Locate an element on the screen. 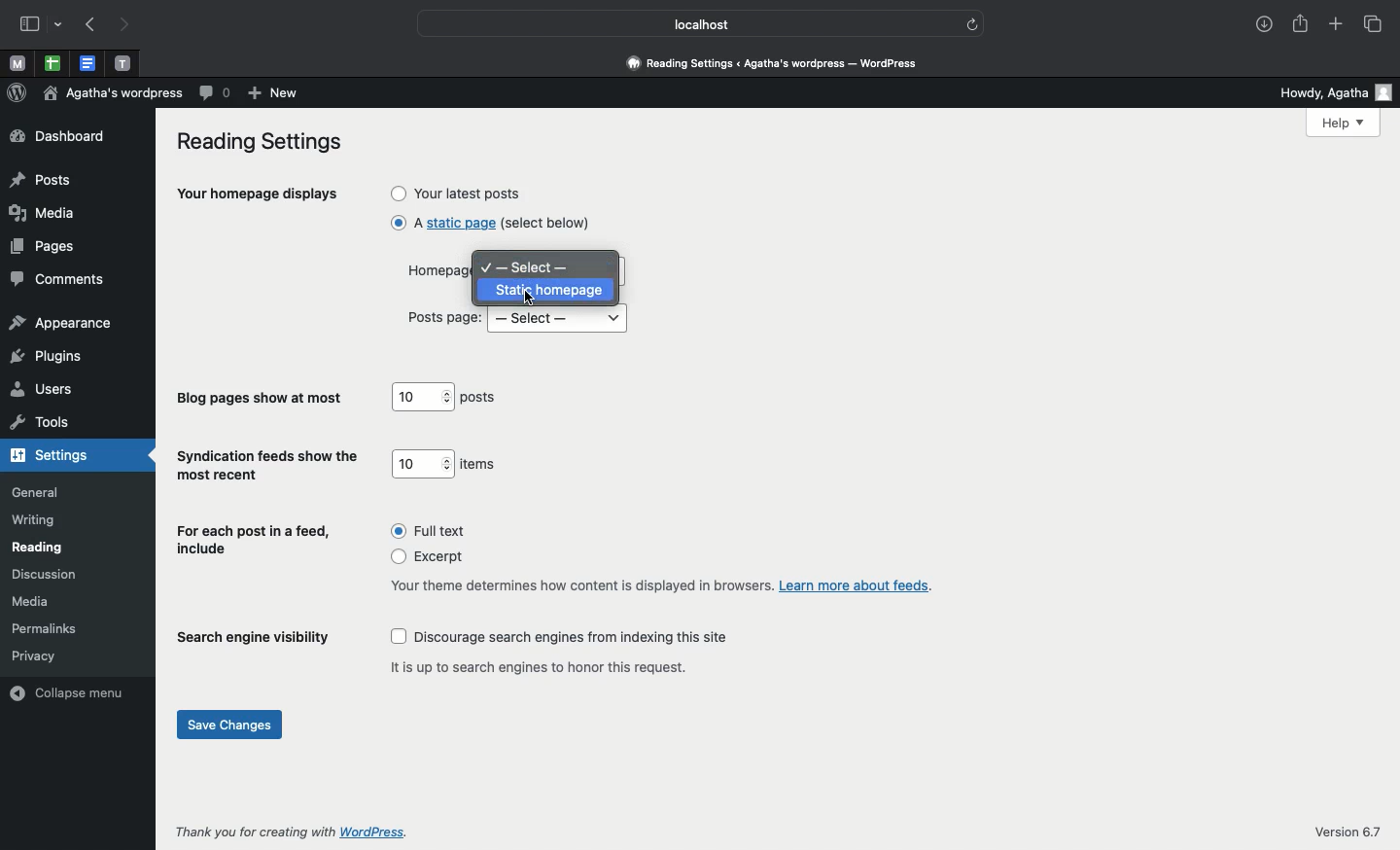 This screenshot has width=1400, height=850. Wordpress is located at coordinates (17, 91).